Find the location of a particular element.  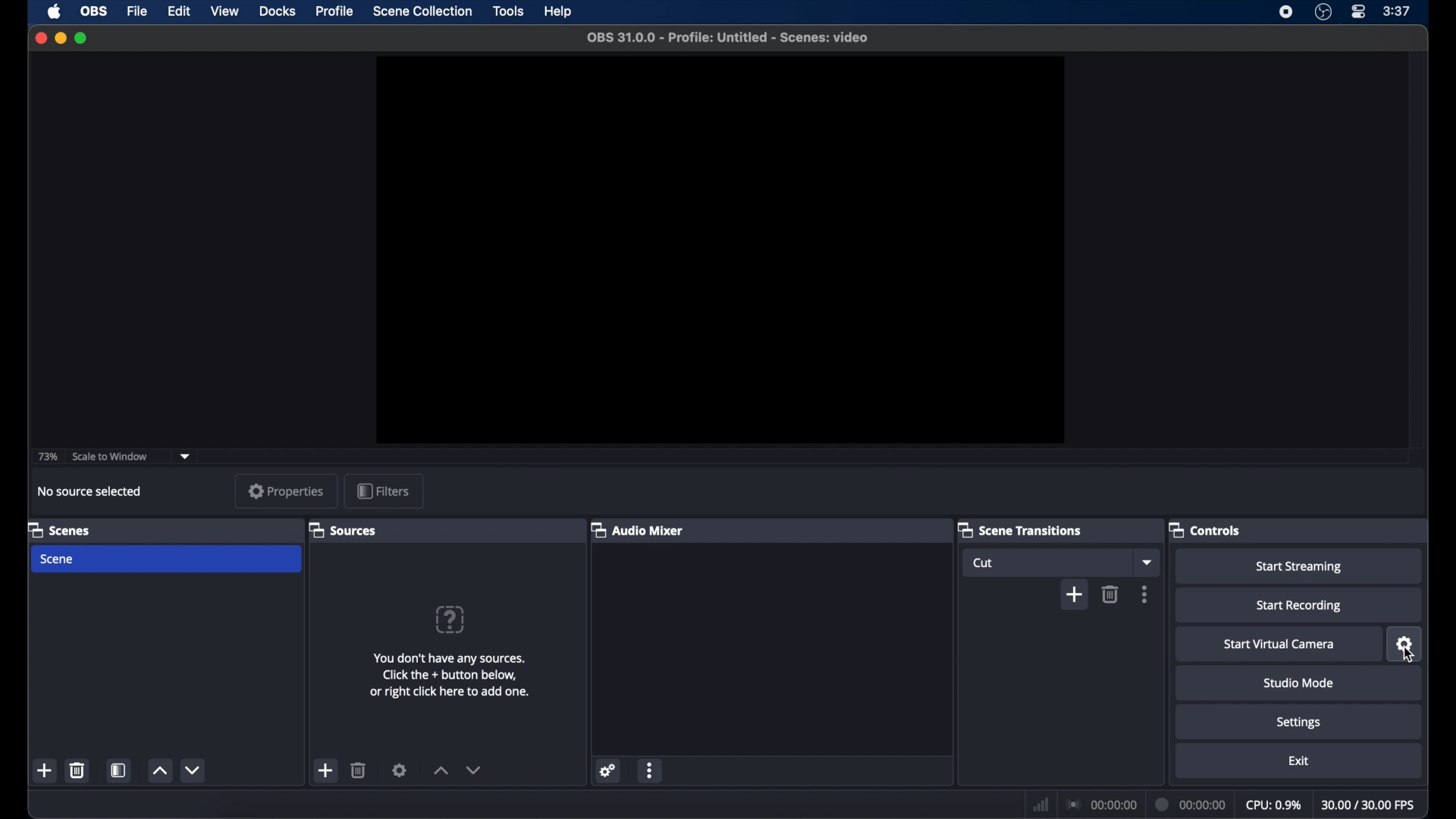

question mark icon is located at coordinates (450, 620).